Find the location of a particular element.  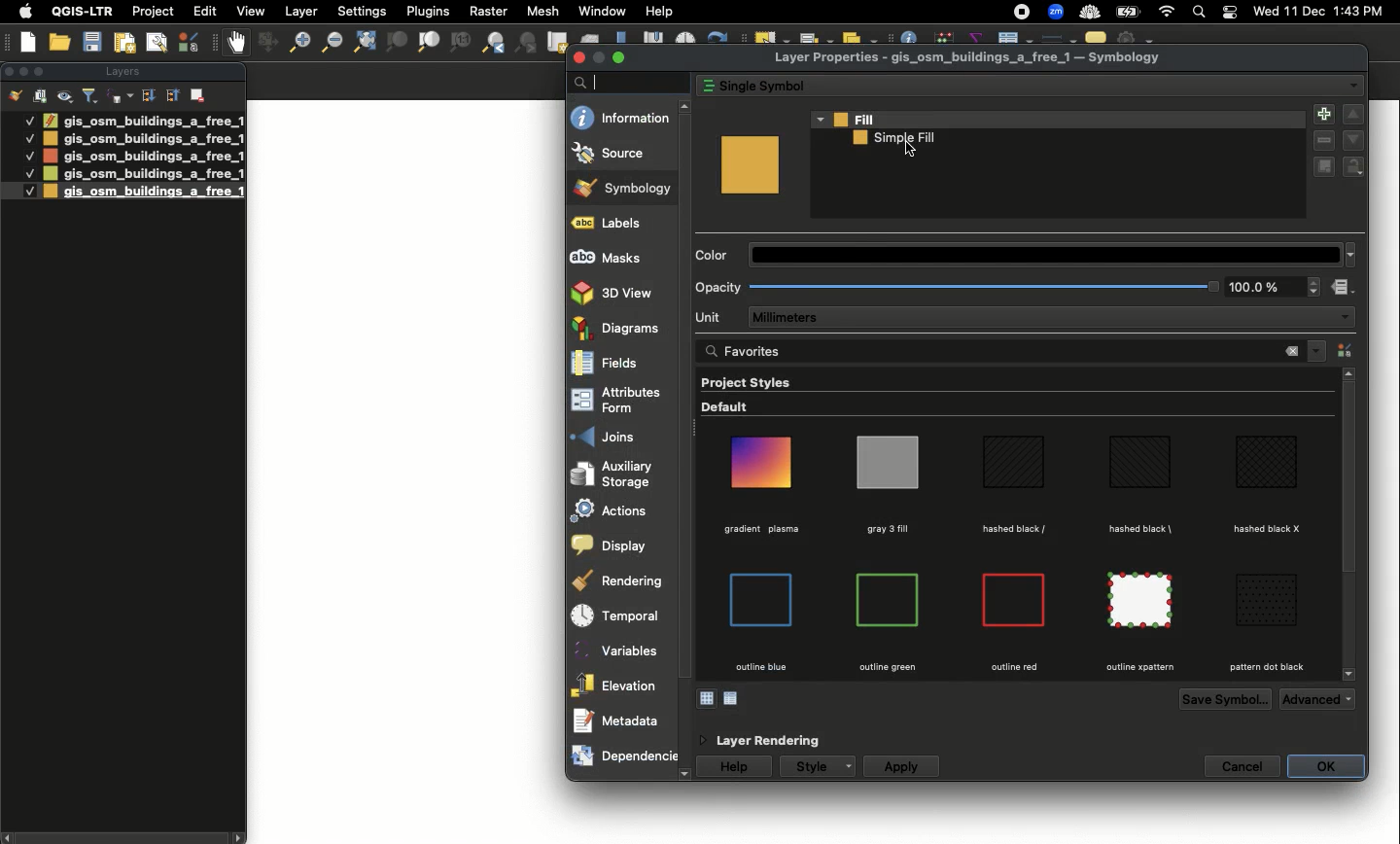

Rendering is located at coordinates (623, 580).